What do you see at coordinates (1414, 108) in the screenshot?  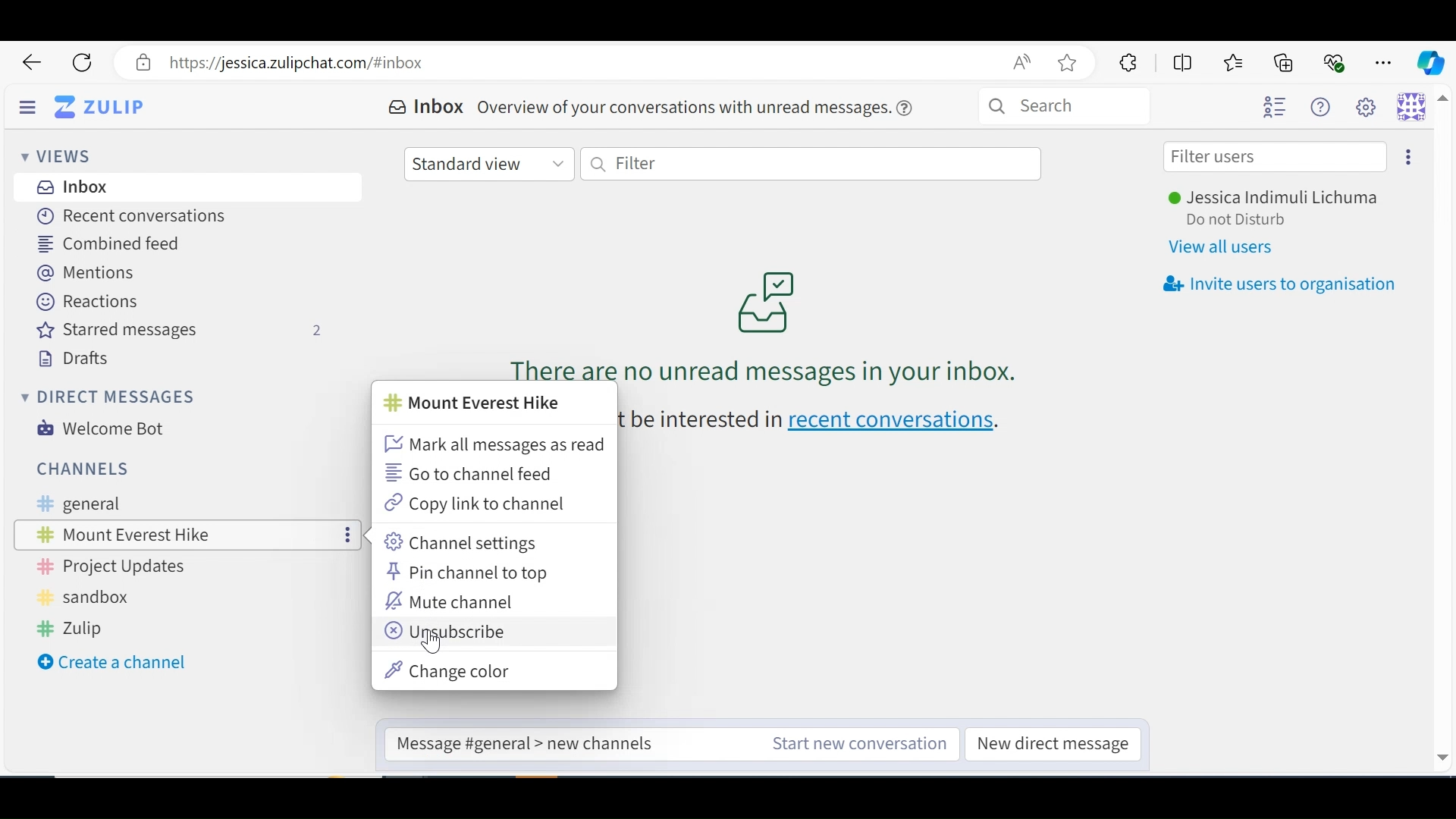 I see `Personal menu` at bounding box center [1414, 108].